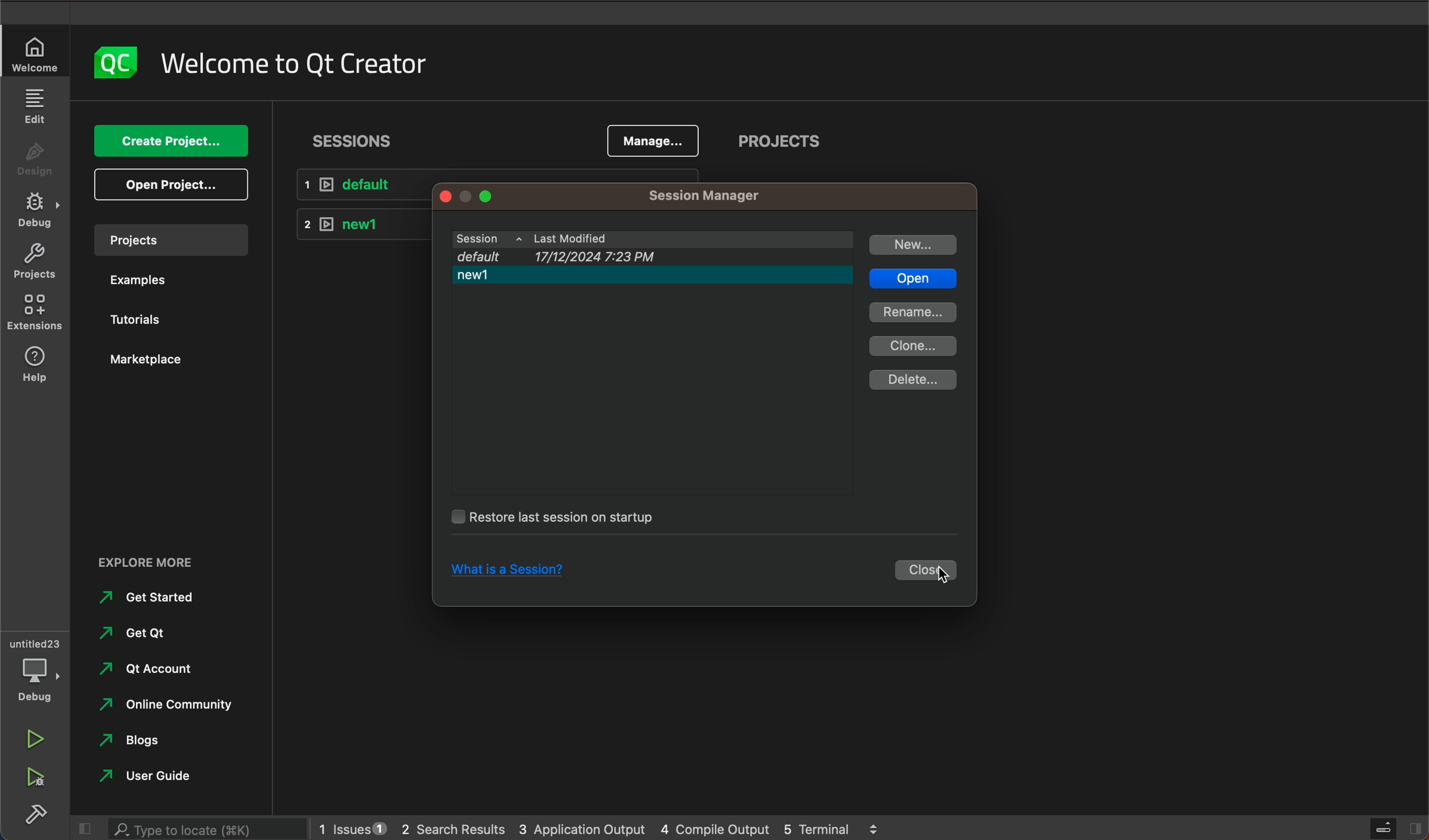 The image size is (1429, 840). I want to click on tutorials, so click(142, 322).